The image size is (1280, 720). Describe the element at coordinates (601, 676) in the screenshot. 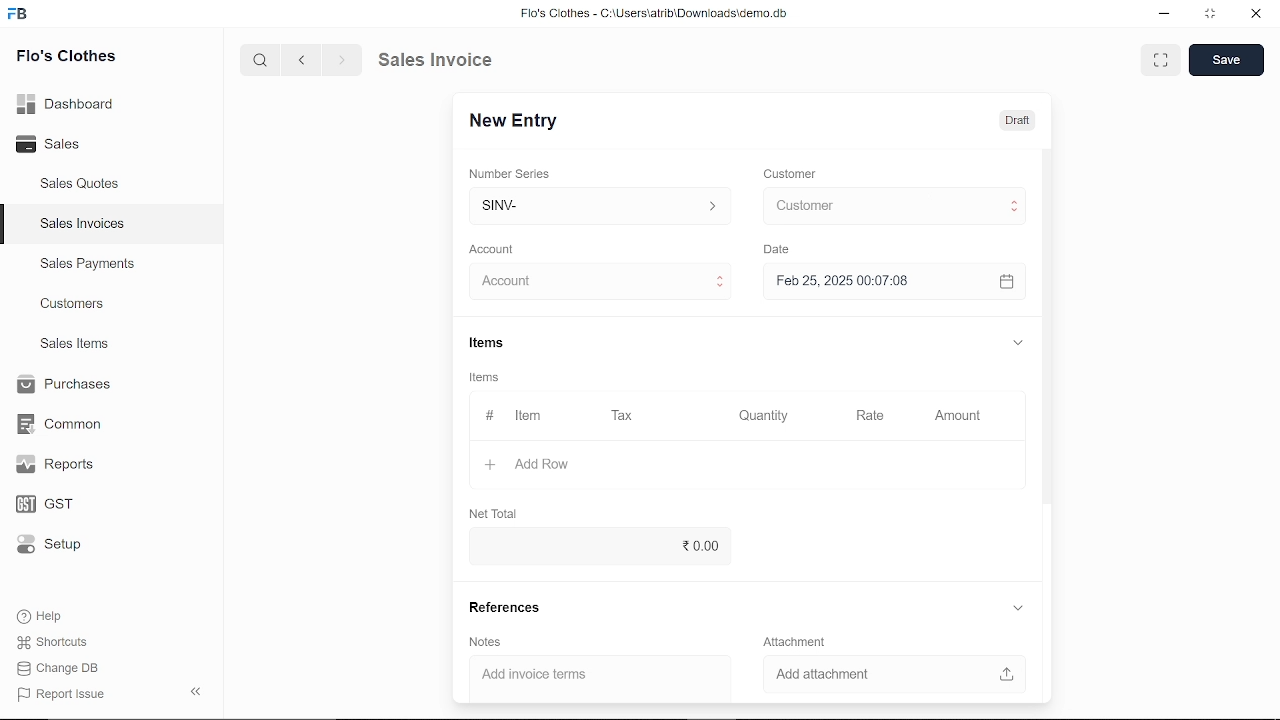

I see `Add invoice terms` at that location.